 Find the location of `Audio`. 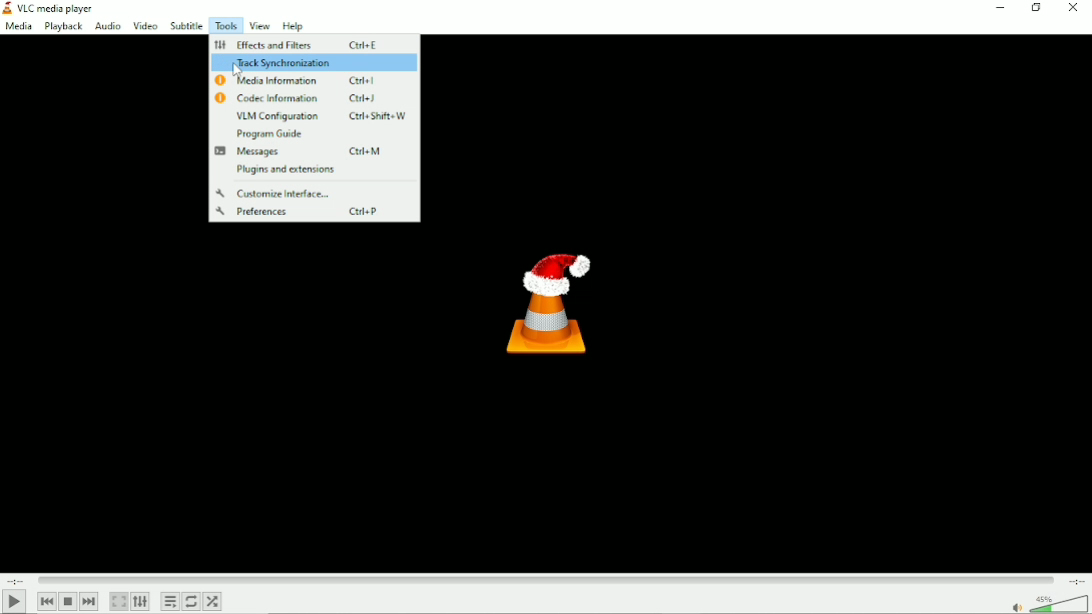

Audio is located at coordinates (106, 26).